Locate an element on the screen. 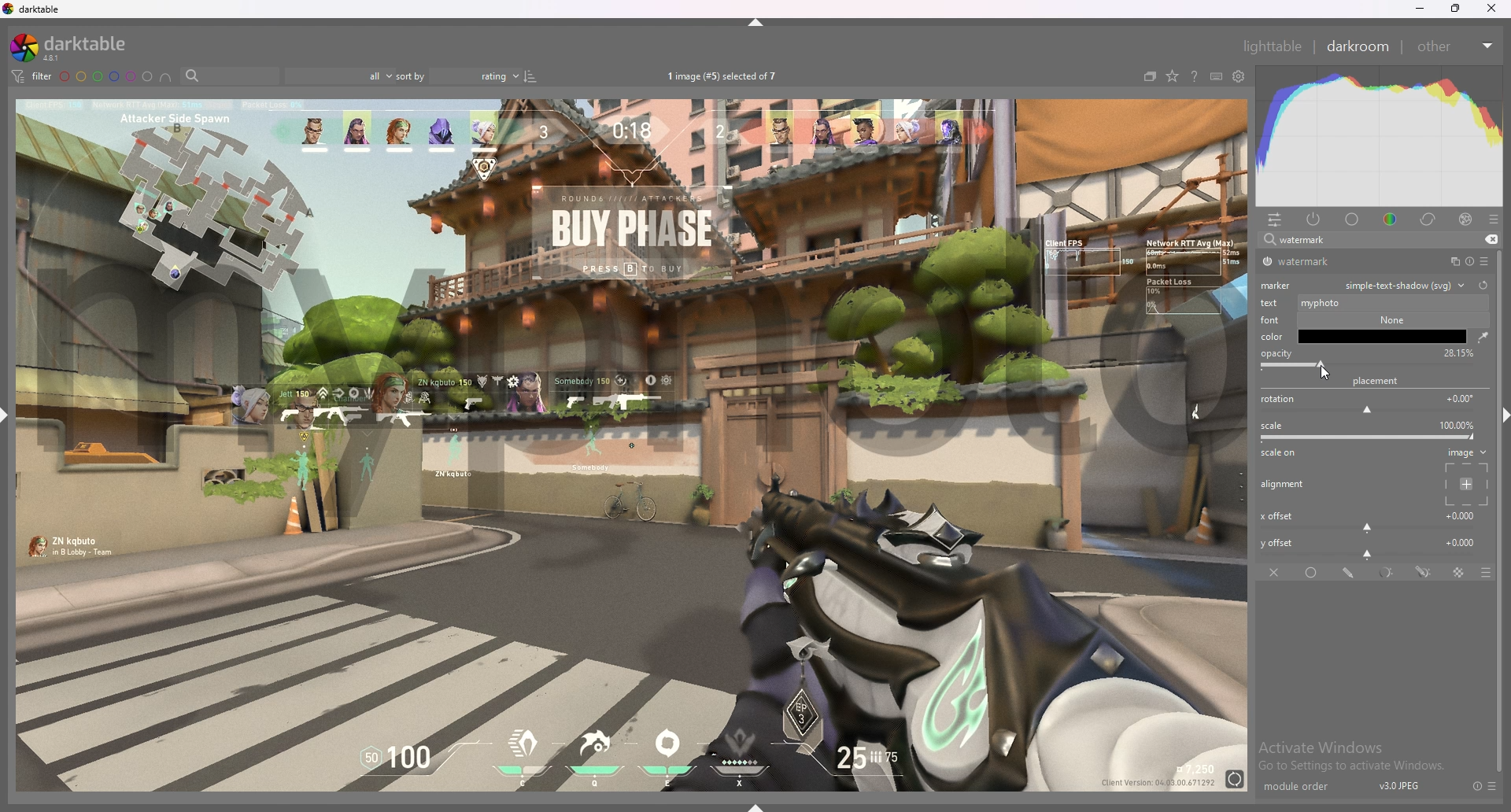 The image size is (1511, 812). parametric mask is located at coordinates (1388, 573).